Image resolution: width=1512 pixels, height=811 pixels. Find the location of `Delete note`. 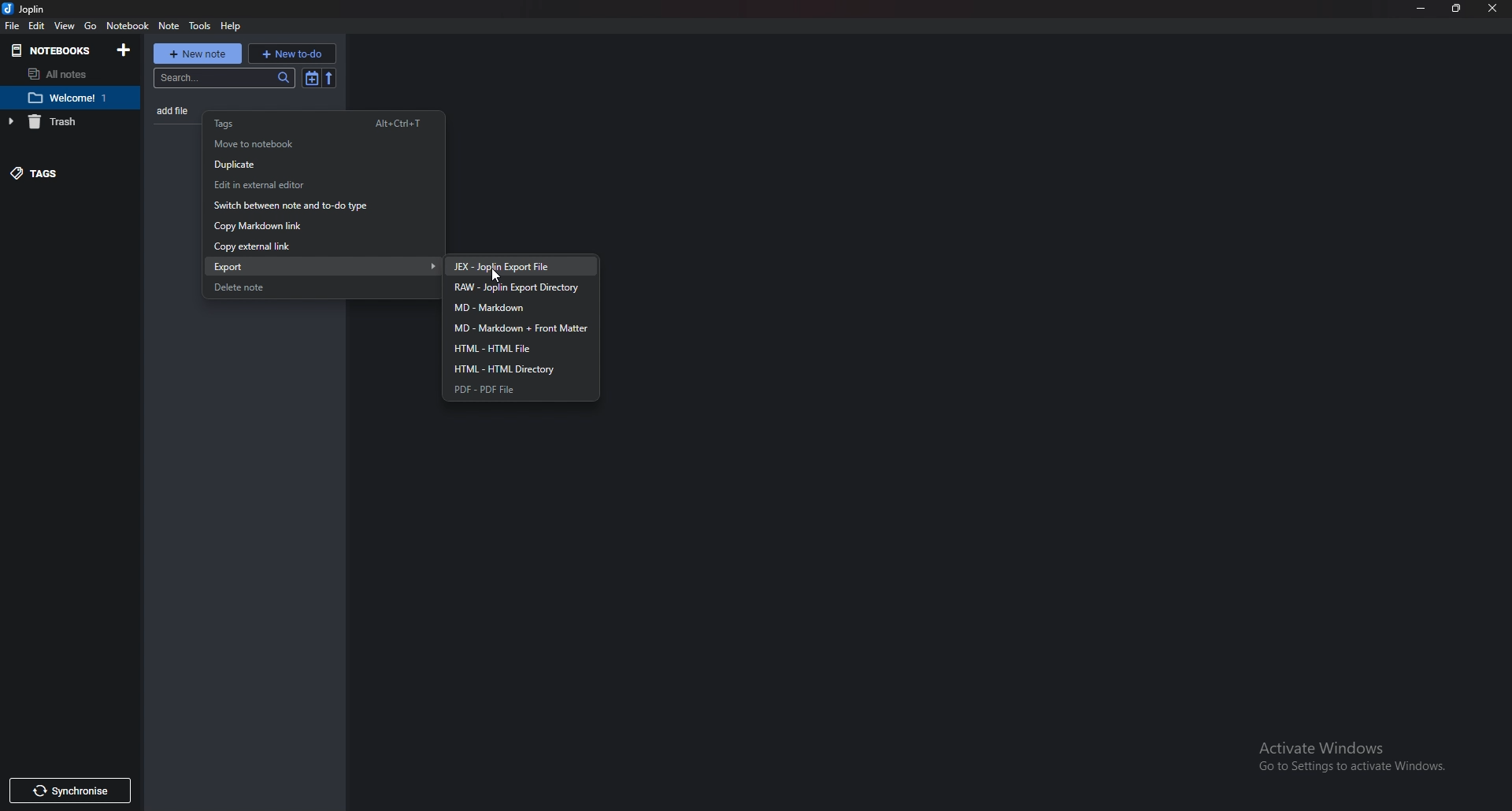

Delete note is located at coordinates (309, 287).